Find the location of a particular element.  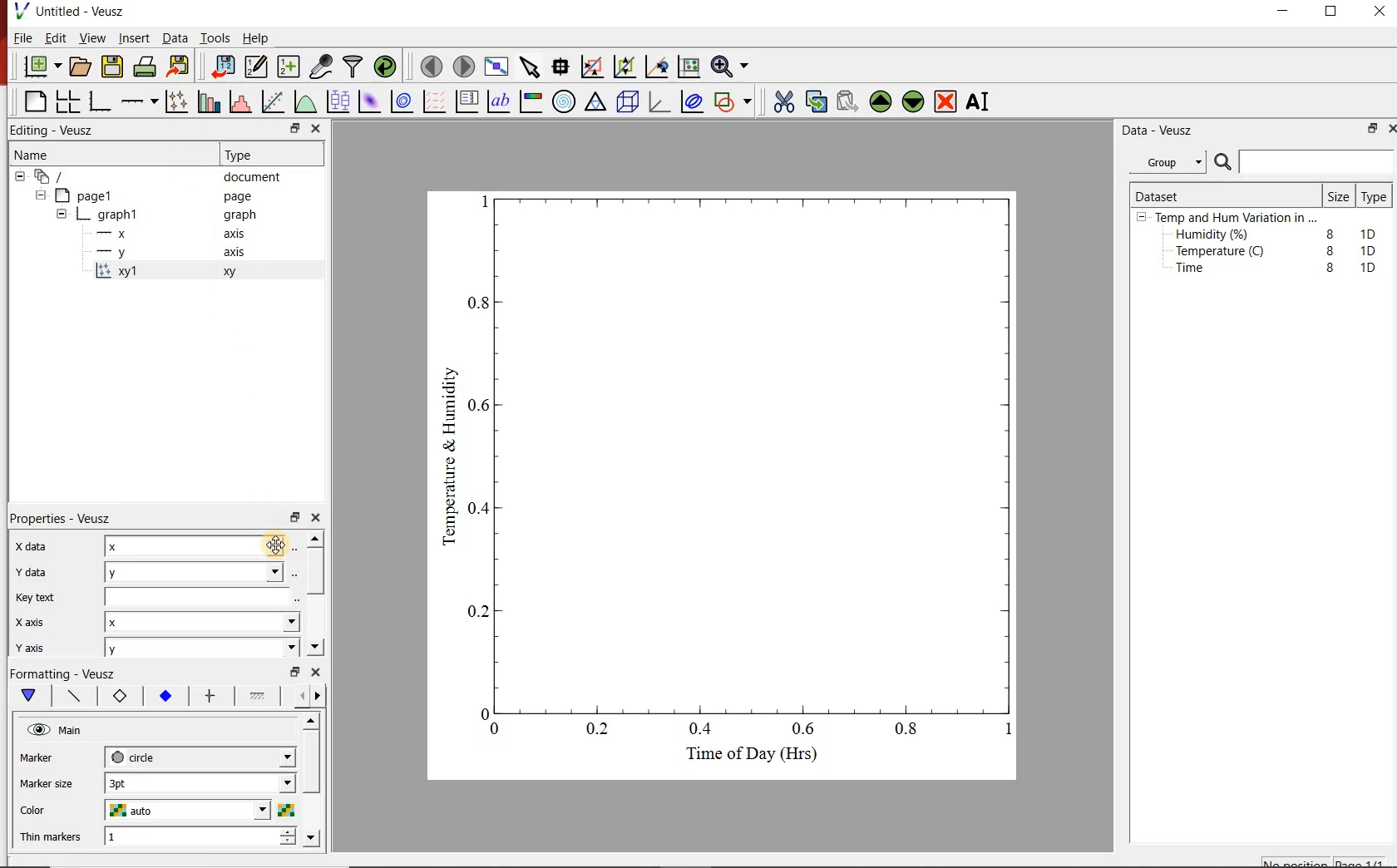

Graph is located at coordinates (758, 451).